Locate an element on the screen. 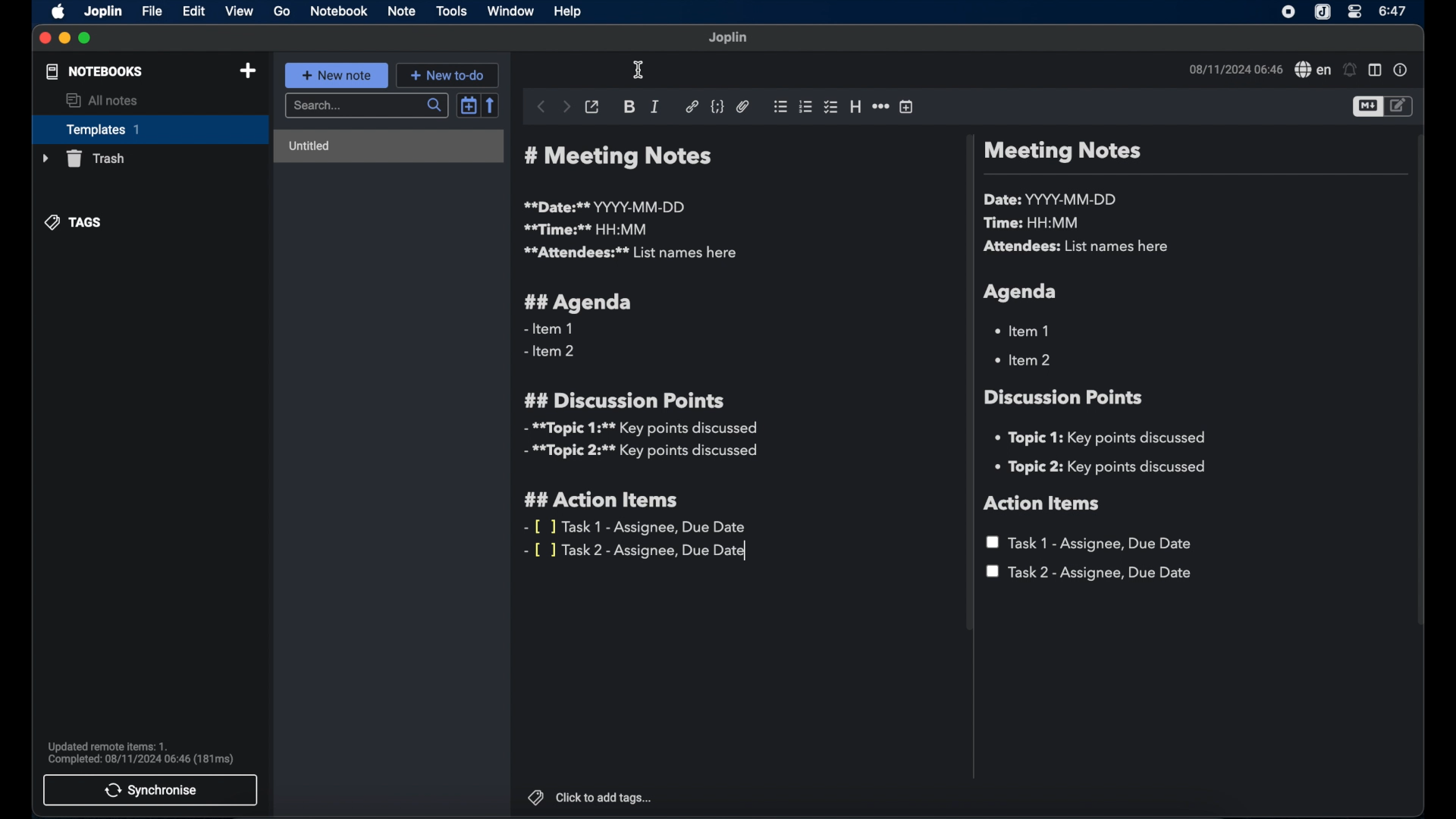 This screenshot has height=819, width=1456. Joplin is located at coordinates (102, 11).